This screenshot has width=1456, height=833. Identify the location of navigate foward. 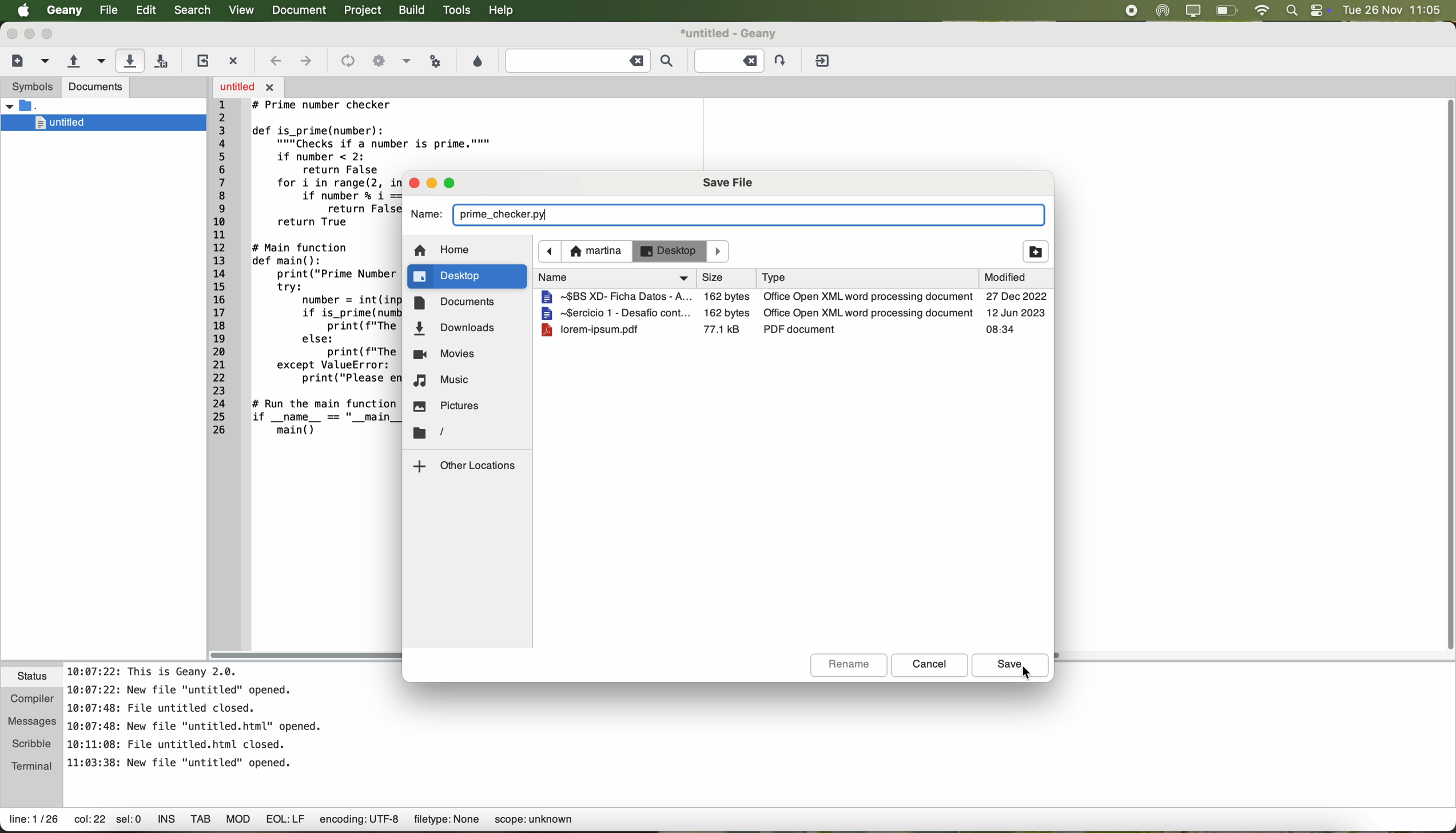
(307, 63).